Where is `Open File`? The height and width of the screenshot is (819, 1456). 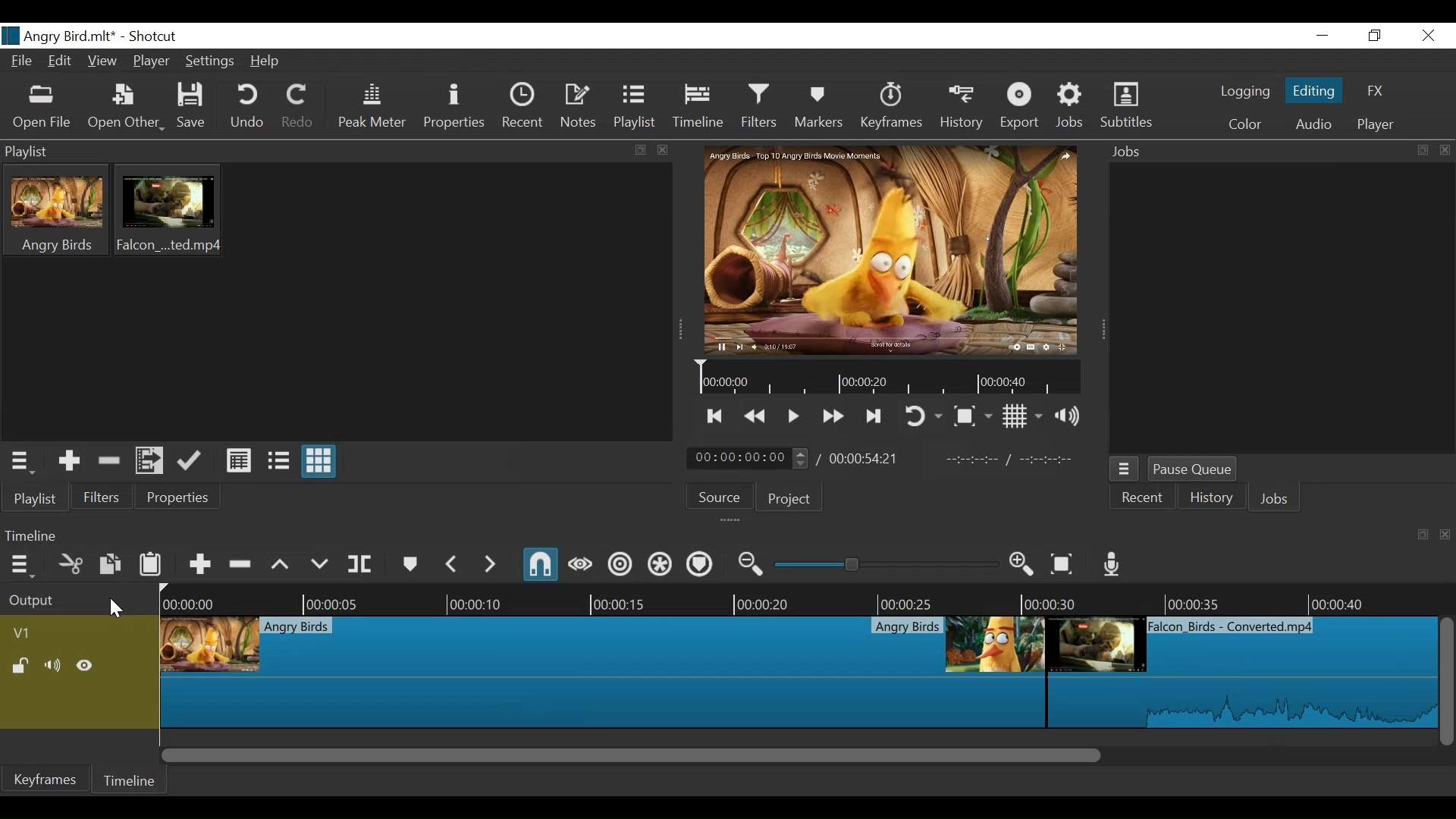
Open File is located at coordinates (126, 108).